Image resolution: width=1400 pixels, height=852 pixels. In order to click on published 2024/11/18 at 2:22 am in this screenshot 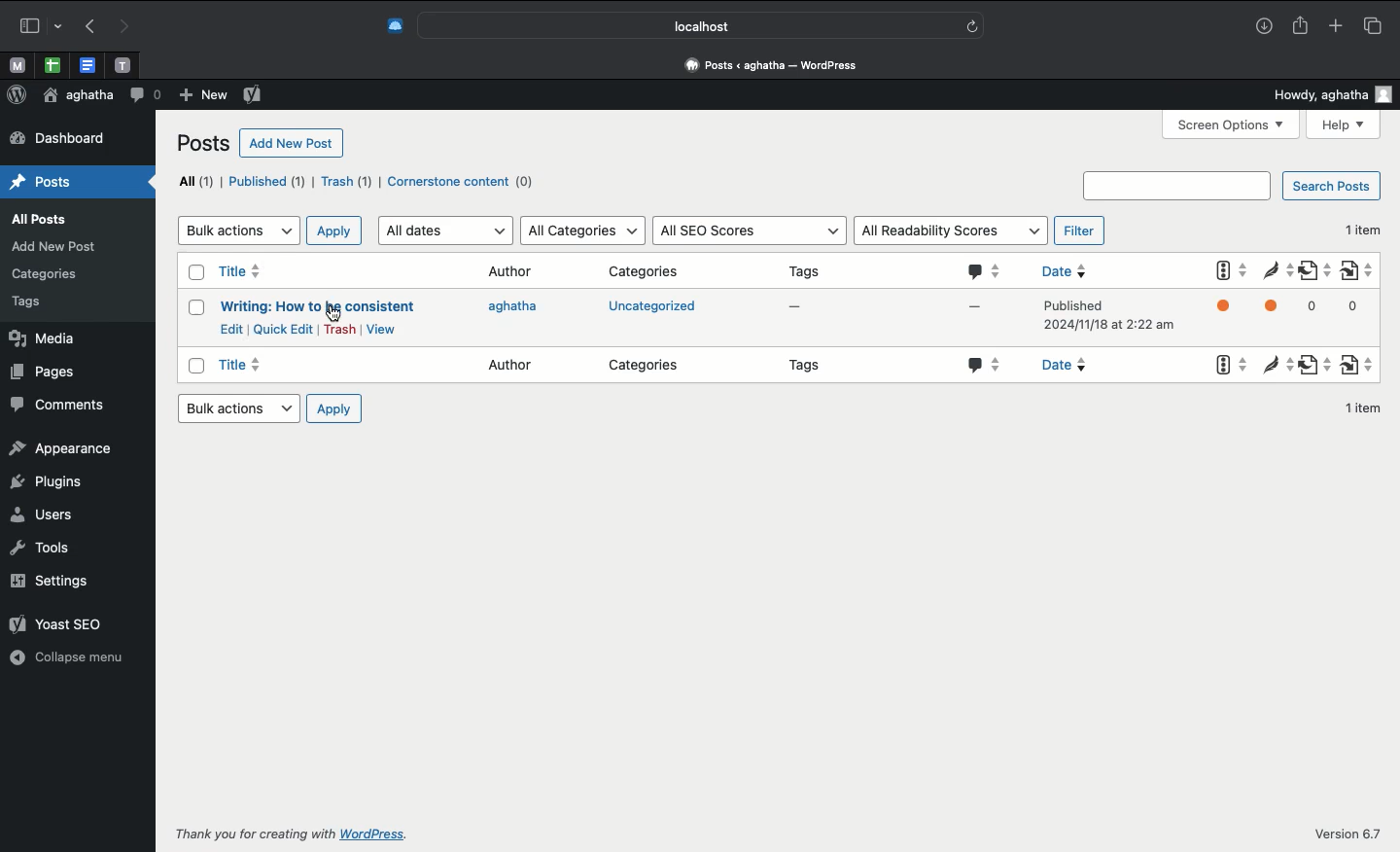, I will do `click(1107, 315)`.